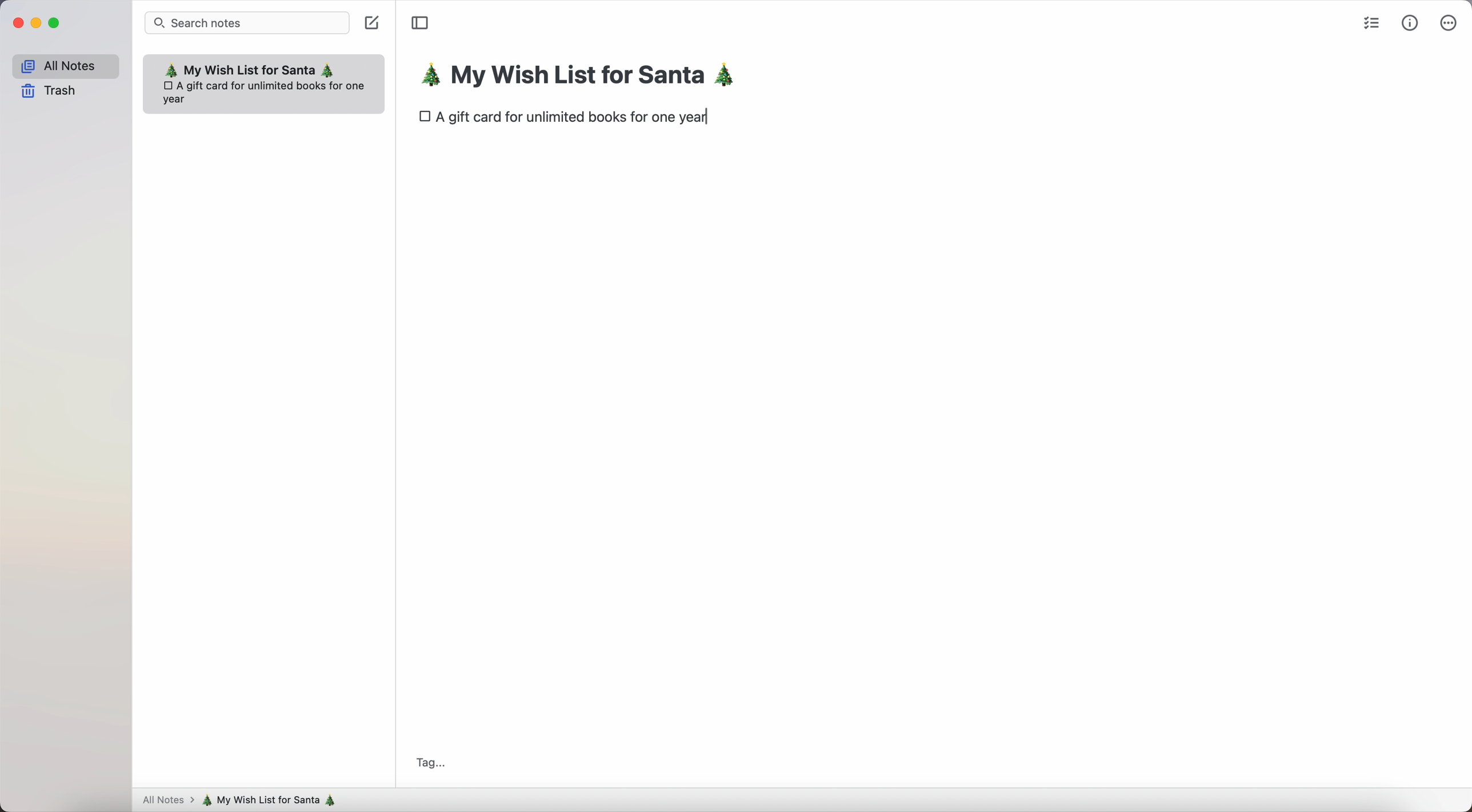 The width and height of the screenshot is (1472, 812). I want to click on all notes, so click(166, 801).